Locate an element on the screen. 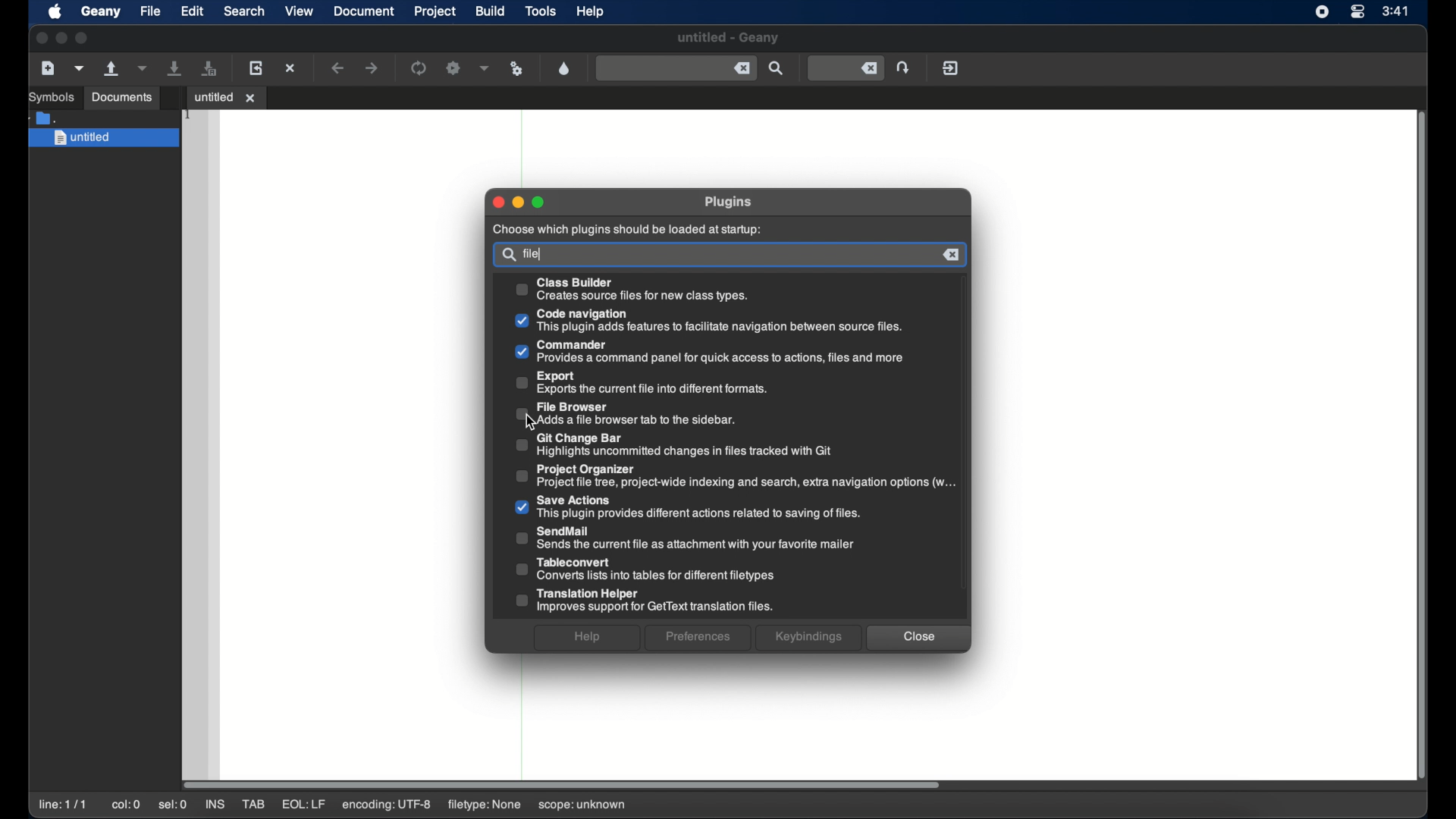 The width and height of the screenshot is (1456, 819). edit is located at coordinates (193, 12).